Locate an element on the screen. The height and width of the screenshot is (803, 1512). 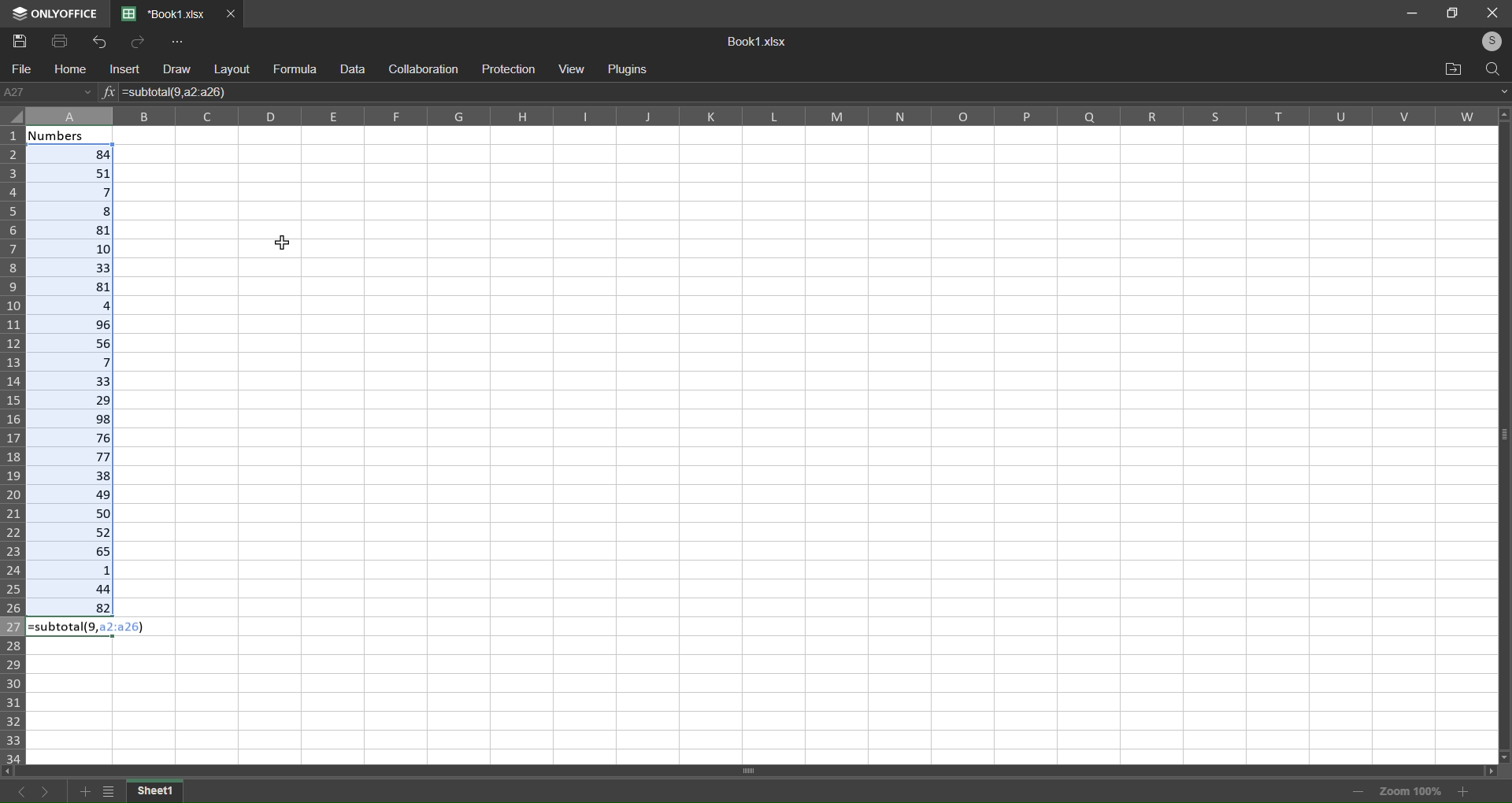
home is located at coordinates (69, 68).